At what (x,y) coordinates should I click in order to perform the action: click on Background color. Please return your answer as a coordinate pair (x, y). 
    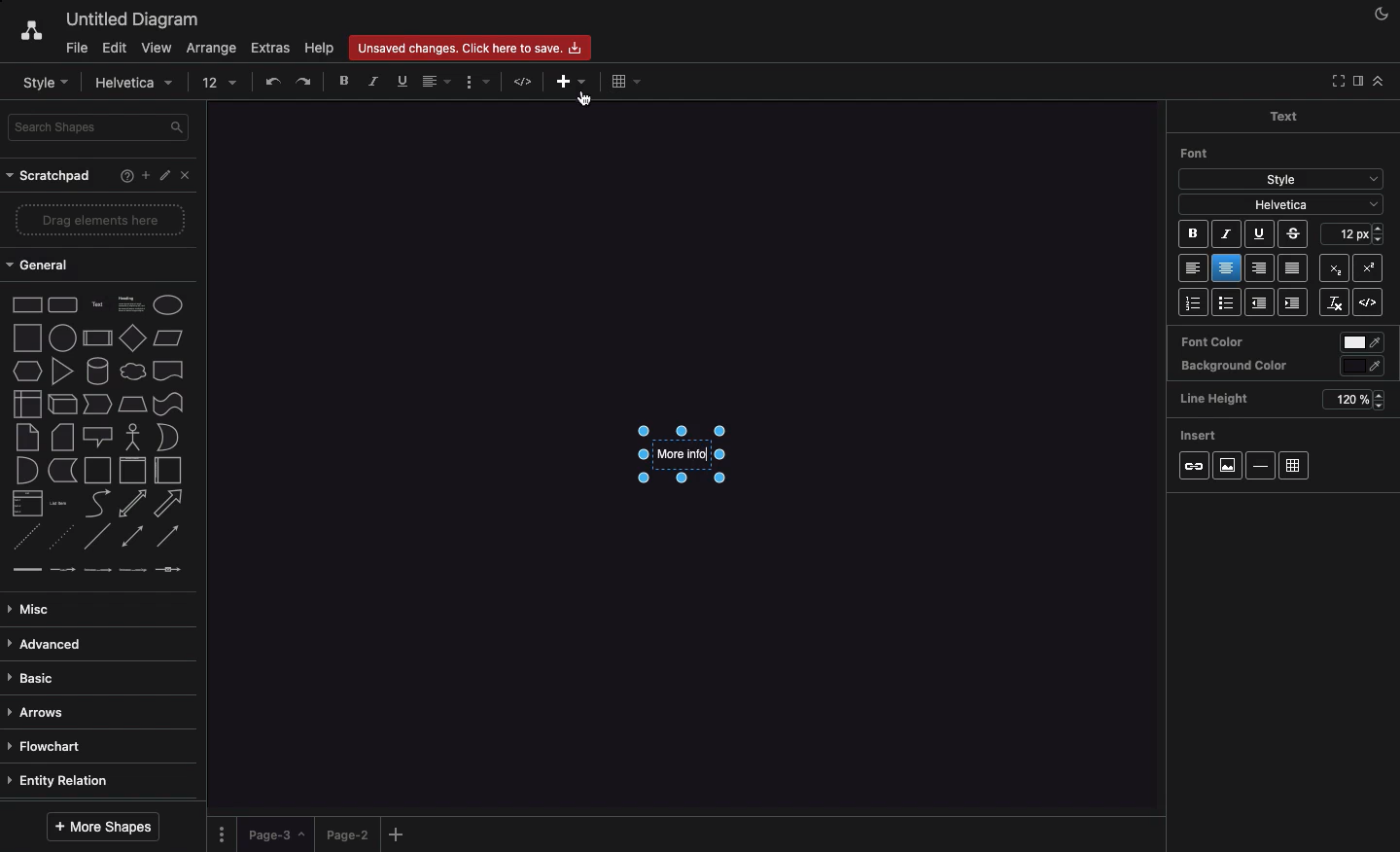
    Looking at the image, I should click on (1235, 367).